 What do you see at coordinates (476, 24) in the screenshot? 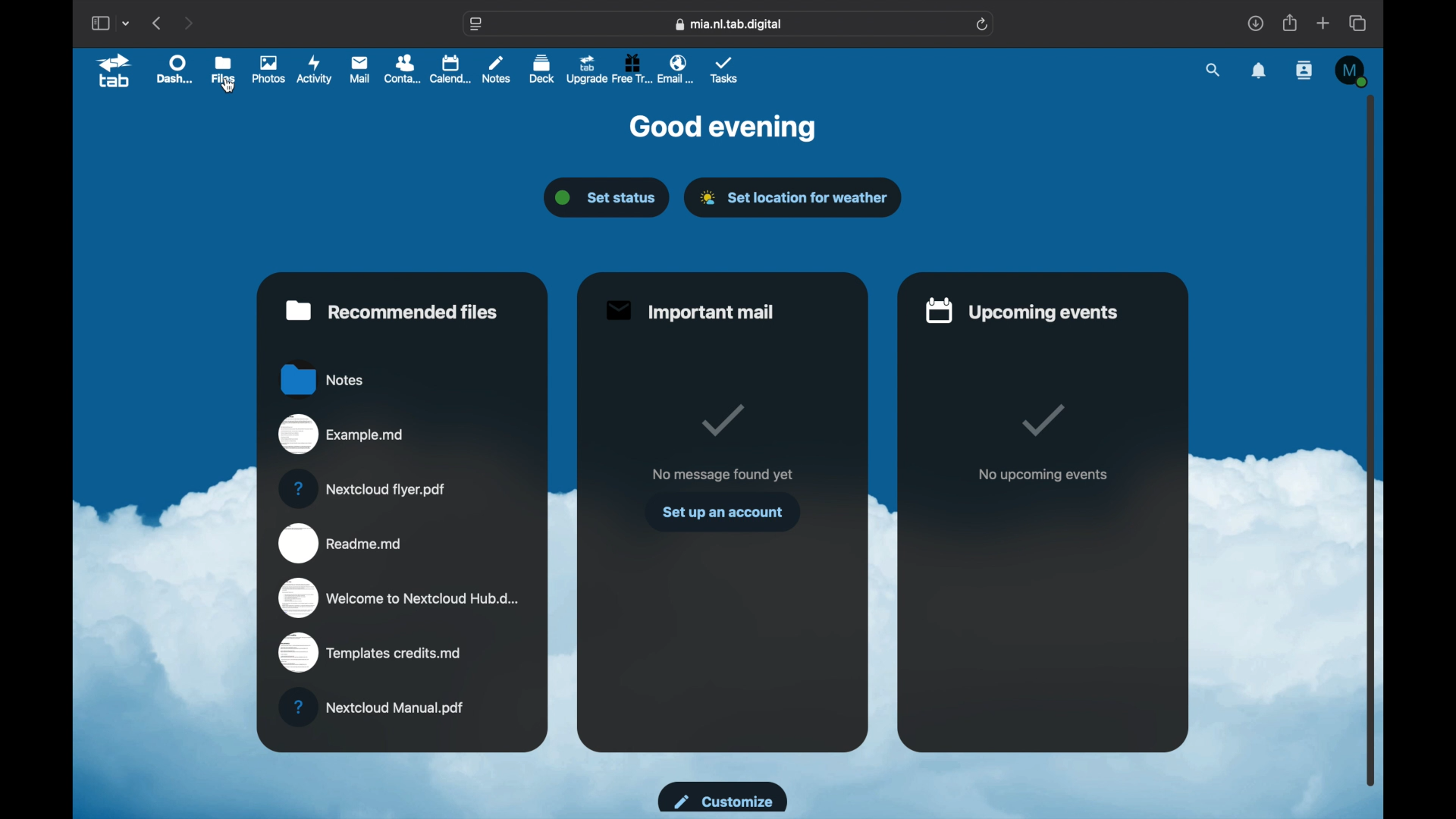
I see `website settings` at bounding box center [476, 24].